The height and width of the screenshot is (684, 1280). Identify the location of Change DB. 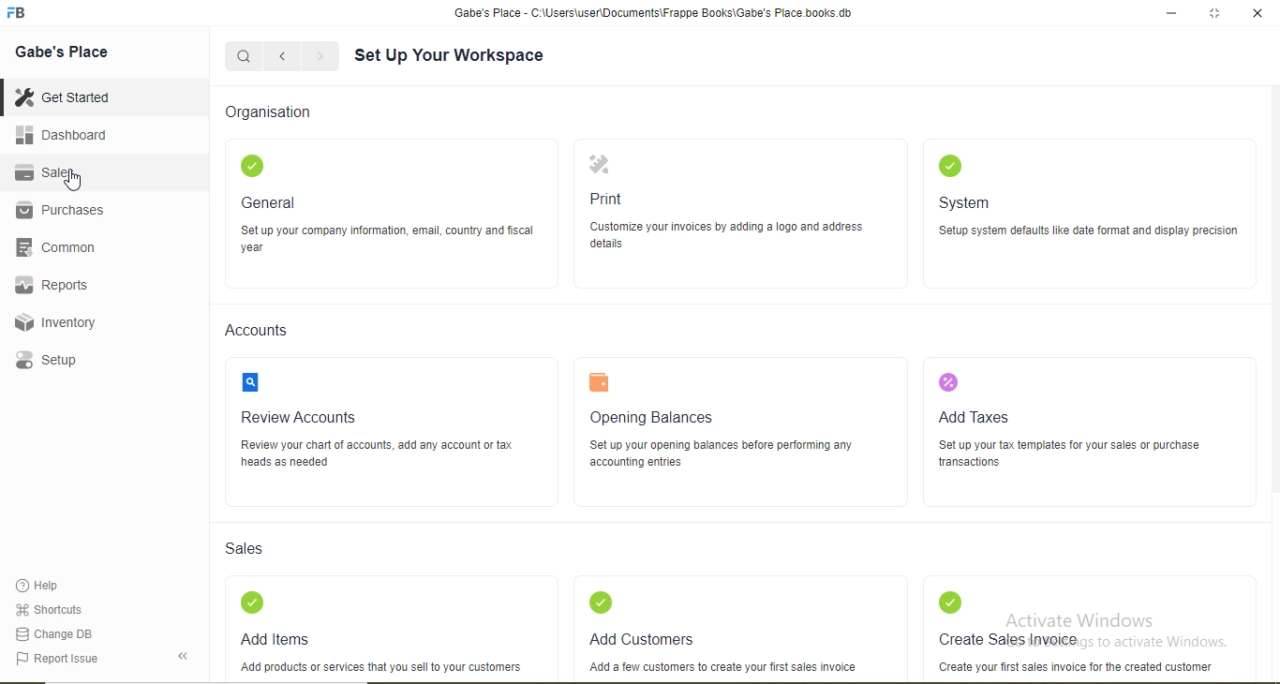
(58, 634).